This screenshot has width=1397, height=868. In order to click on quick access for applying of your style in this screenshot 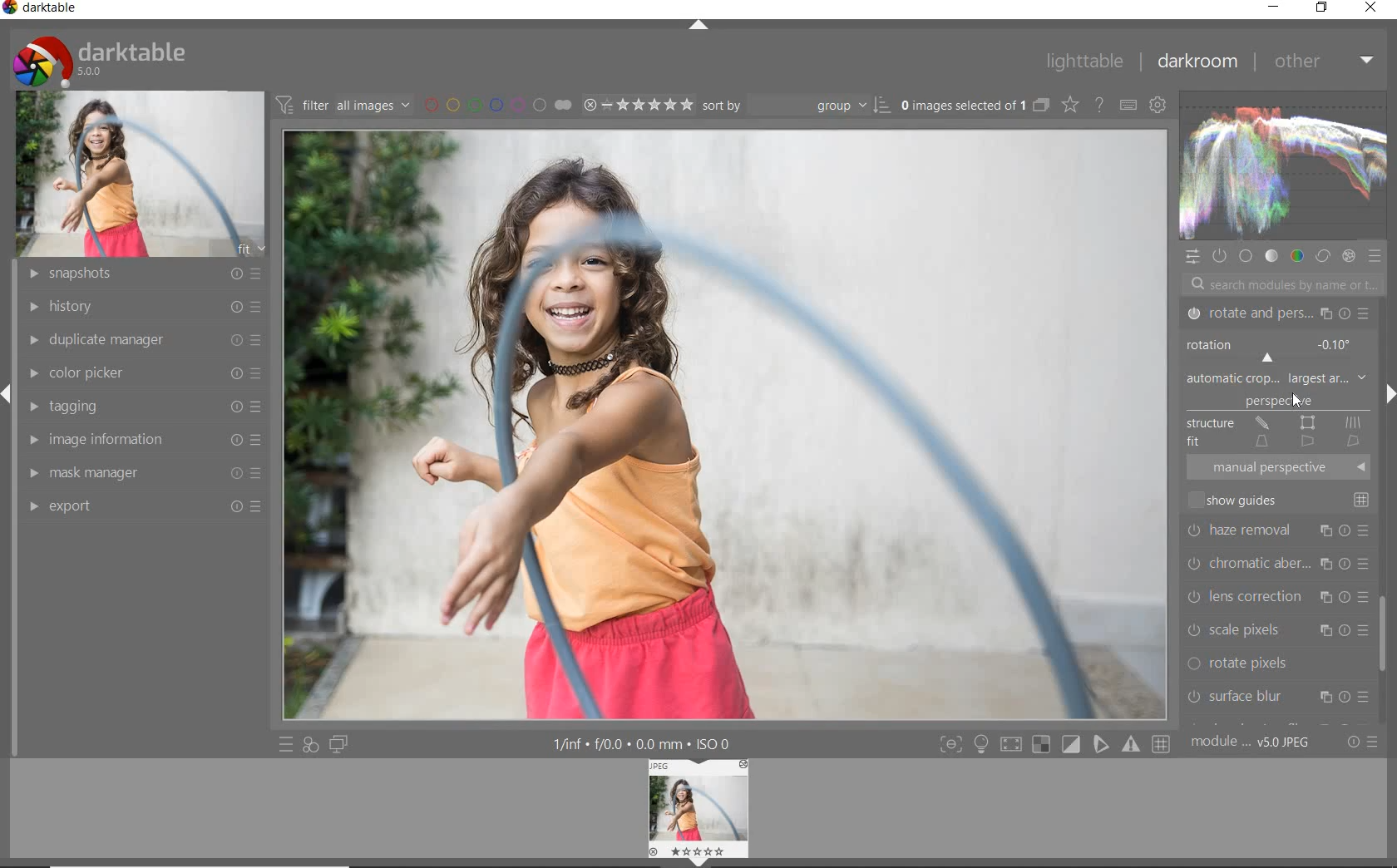, I will do `click(309, 743)`.